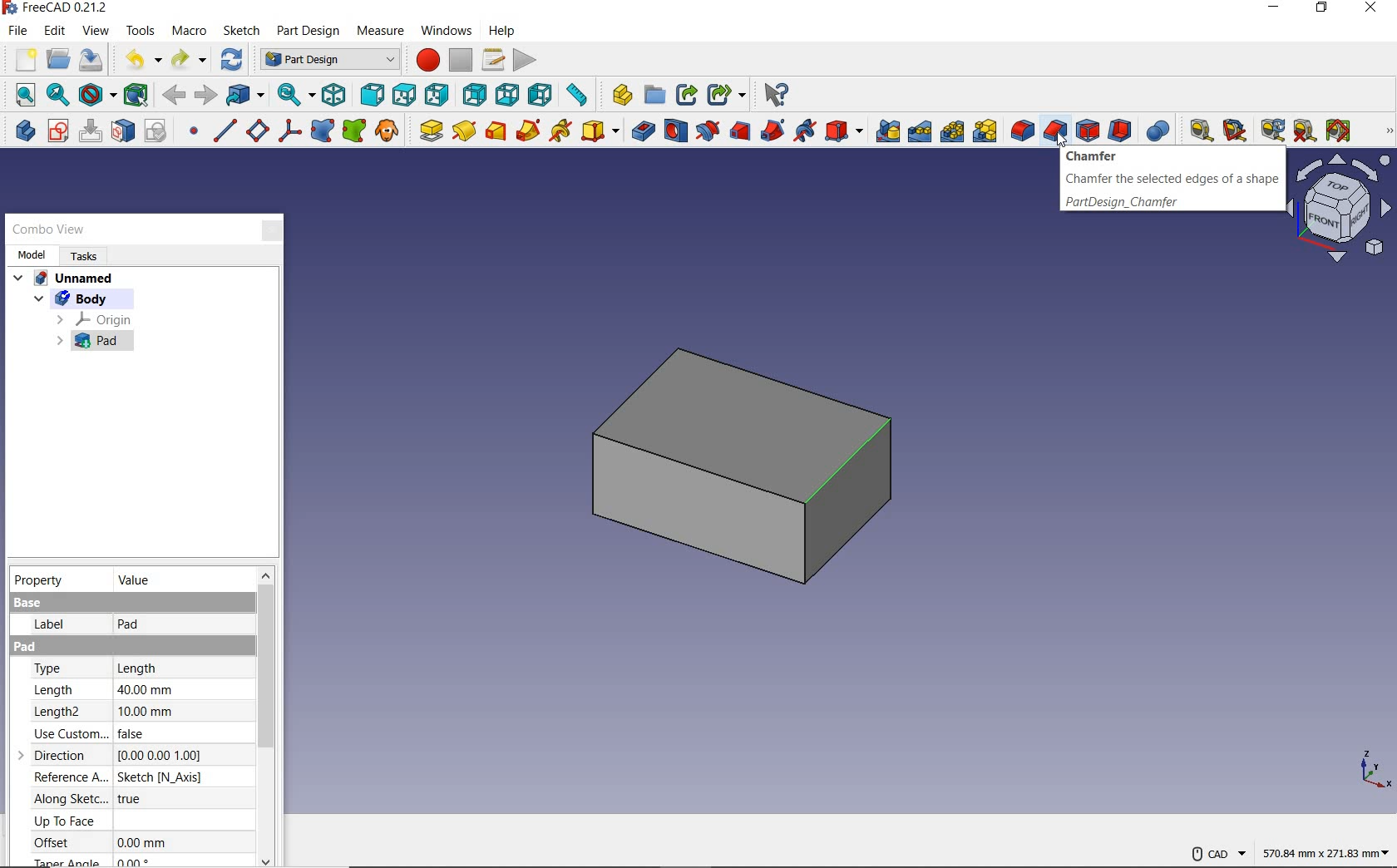 This screenshot has height=868, width=1397. Describe the element at coordinates (1271, 131) in the screenshot. I see `refresh` at that location.